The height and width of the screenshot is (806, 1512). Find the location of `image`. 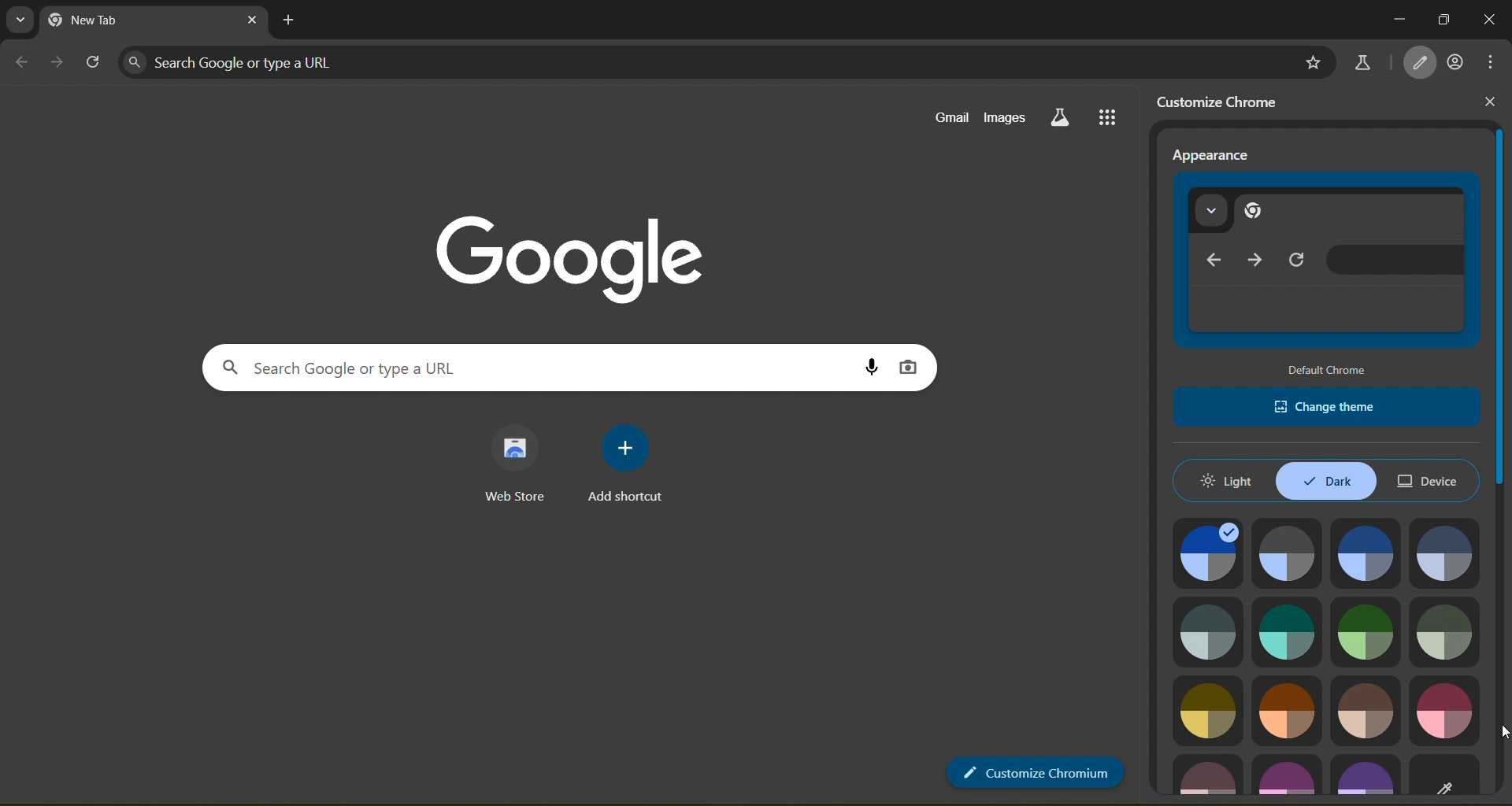

image is located at coordinates (1206, 711).